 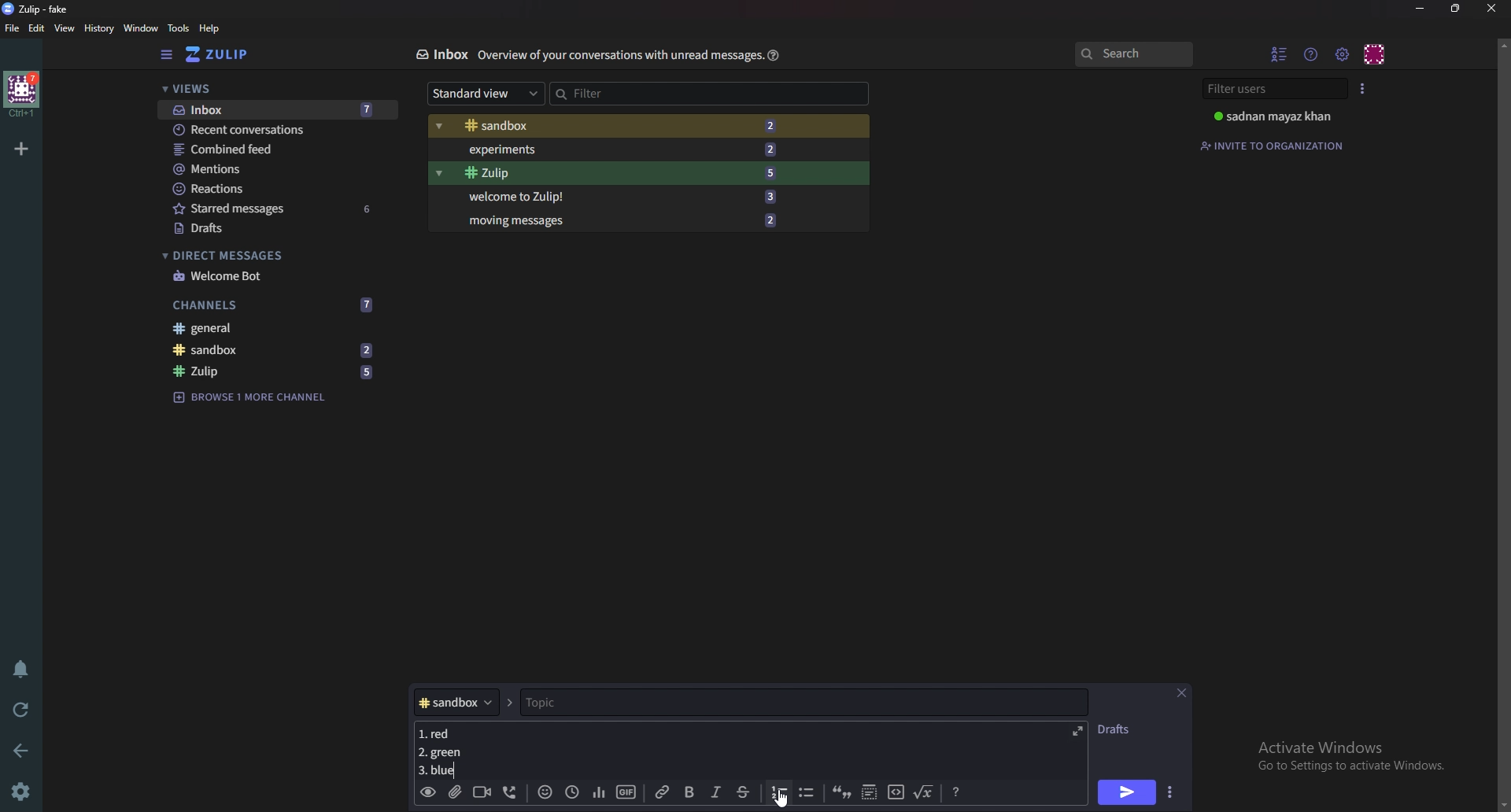 I want to click on Resize, so click(x=1456, y=9).